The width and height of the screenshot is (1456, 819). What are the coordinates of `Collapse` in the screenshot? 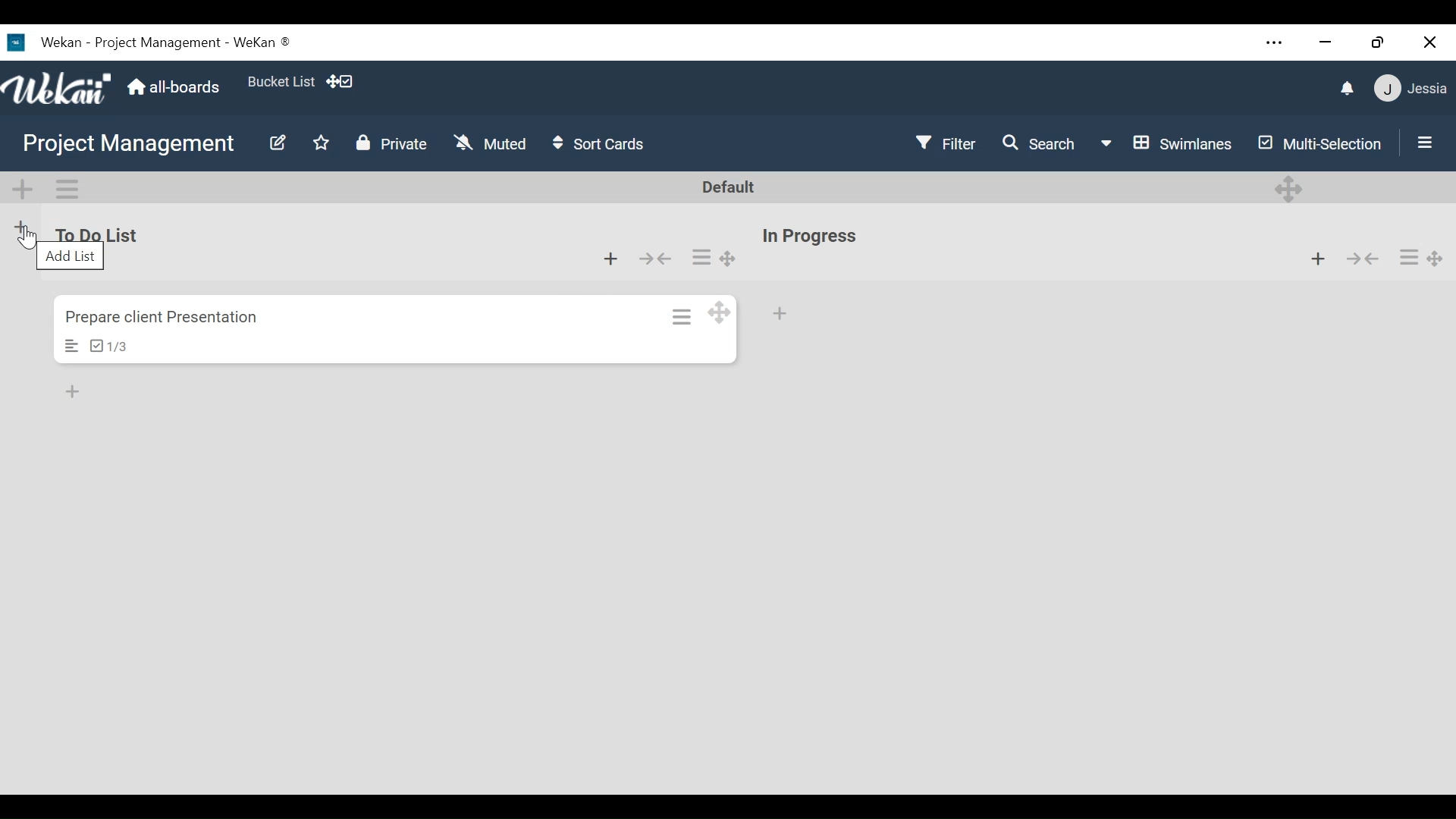 It's located at (652, 257).